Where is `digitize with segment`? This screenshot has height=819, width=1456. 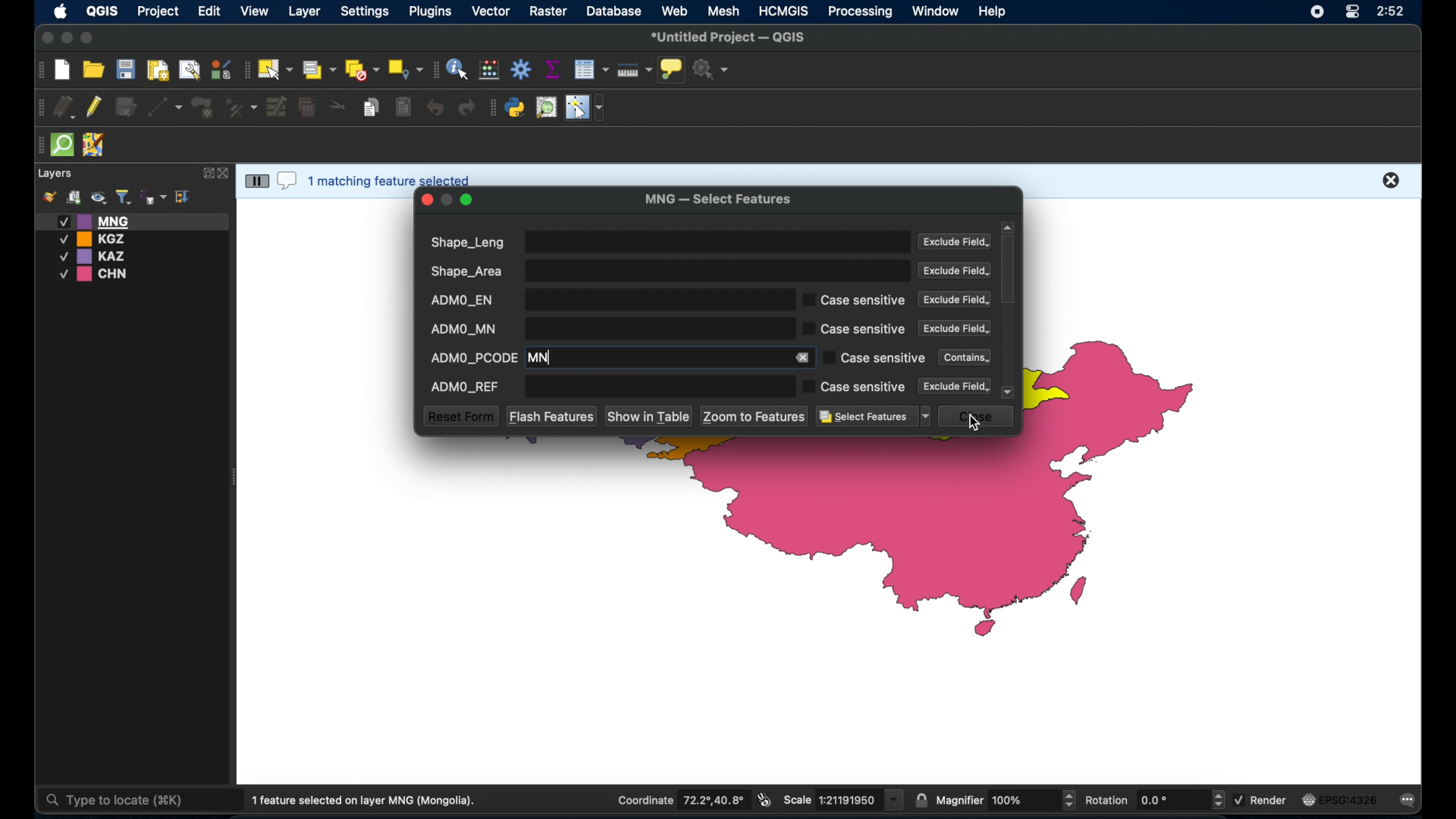 digitize with segment is located at coordinates (165, 106).